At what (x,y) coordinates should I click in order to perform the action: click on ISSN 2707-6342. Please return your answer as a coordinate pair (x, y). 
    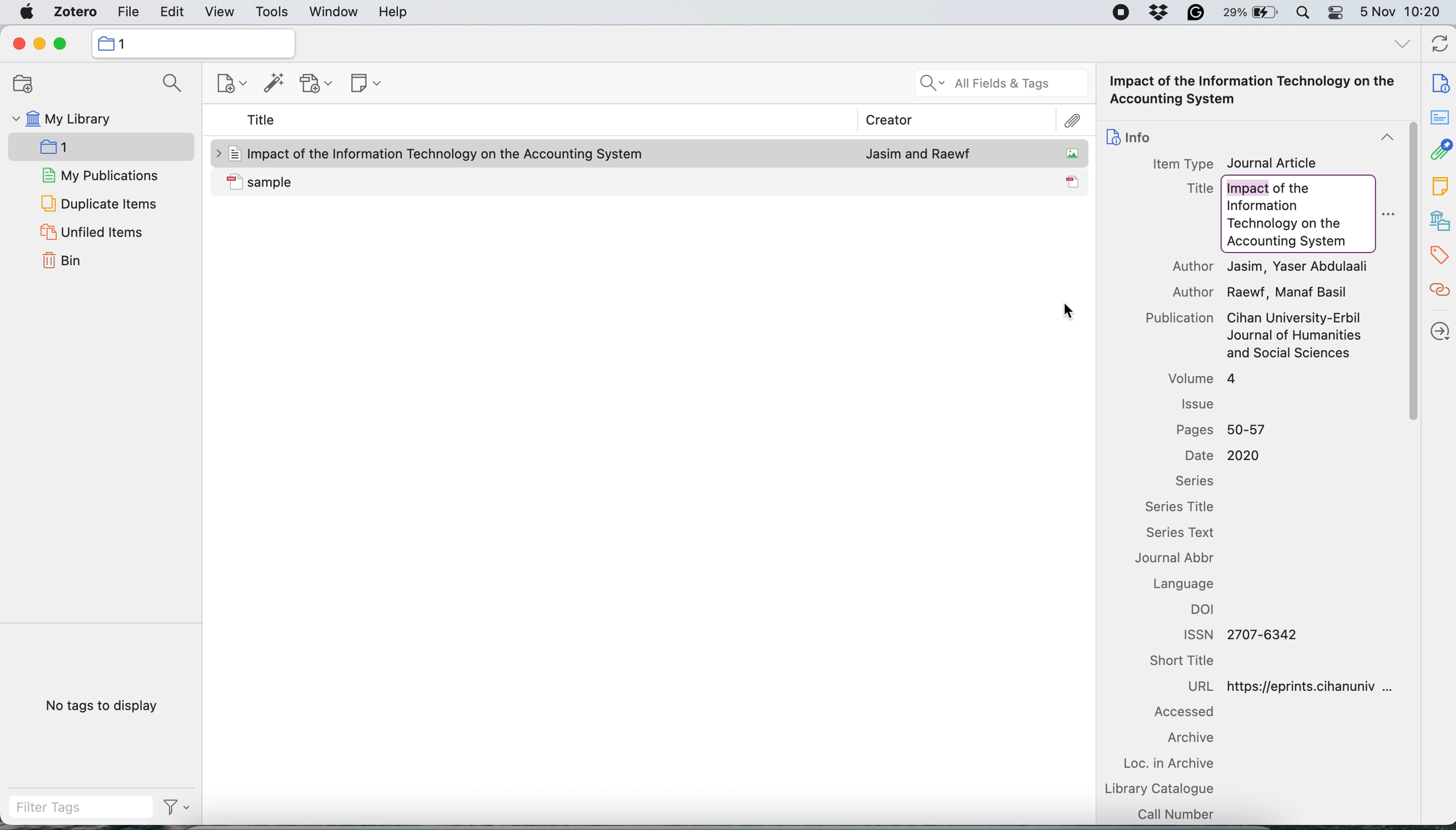
    Looking at the image, I should click on (1244, 634).